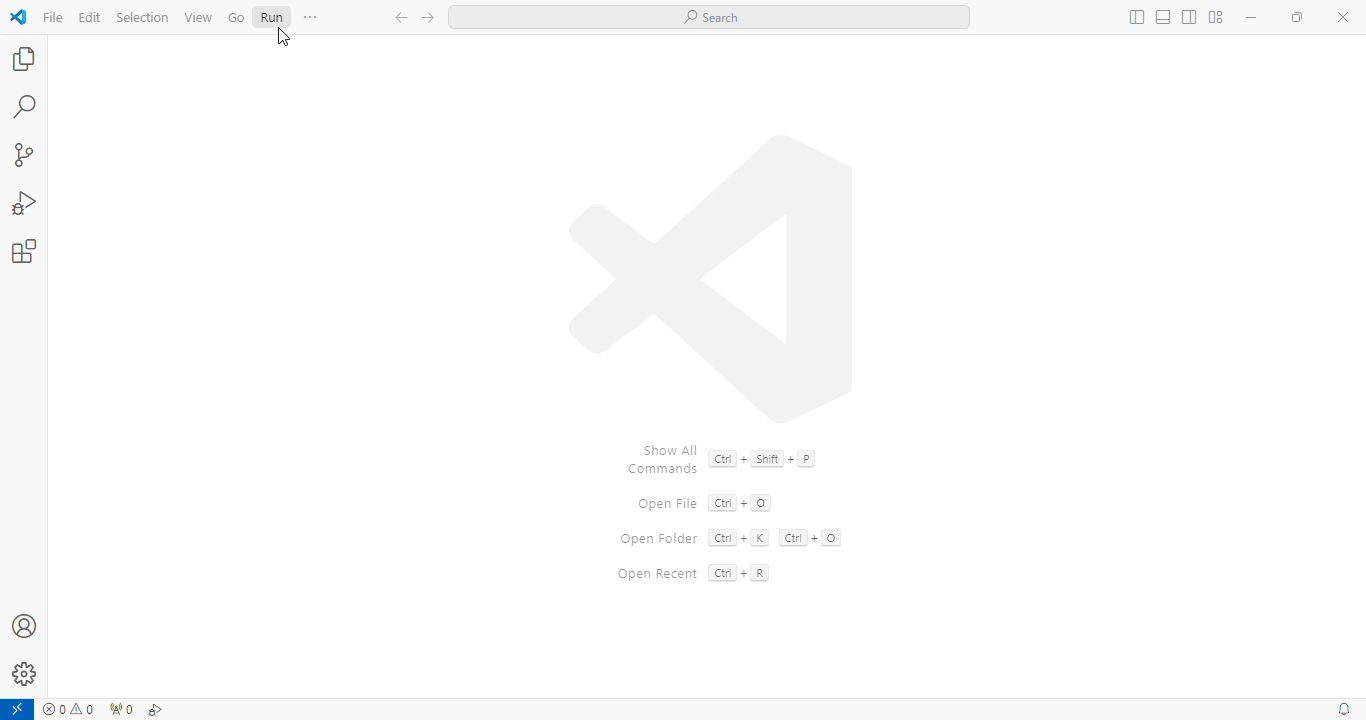  What do you see at coordinates (1216, 17) in the screenshot?
I see `customize layout` at bounding box center [1216, 17].